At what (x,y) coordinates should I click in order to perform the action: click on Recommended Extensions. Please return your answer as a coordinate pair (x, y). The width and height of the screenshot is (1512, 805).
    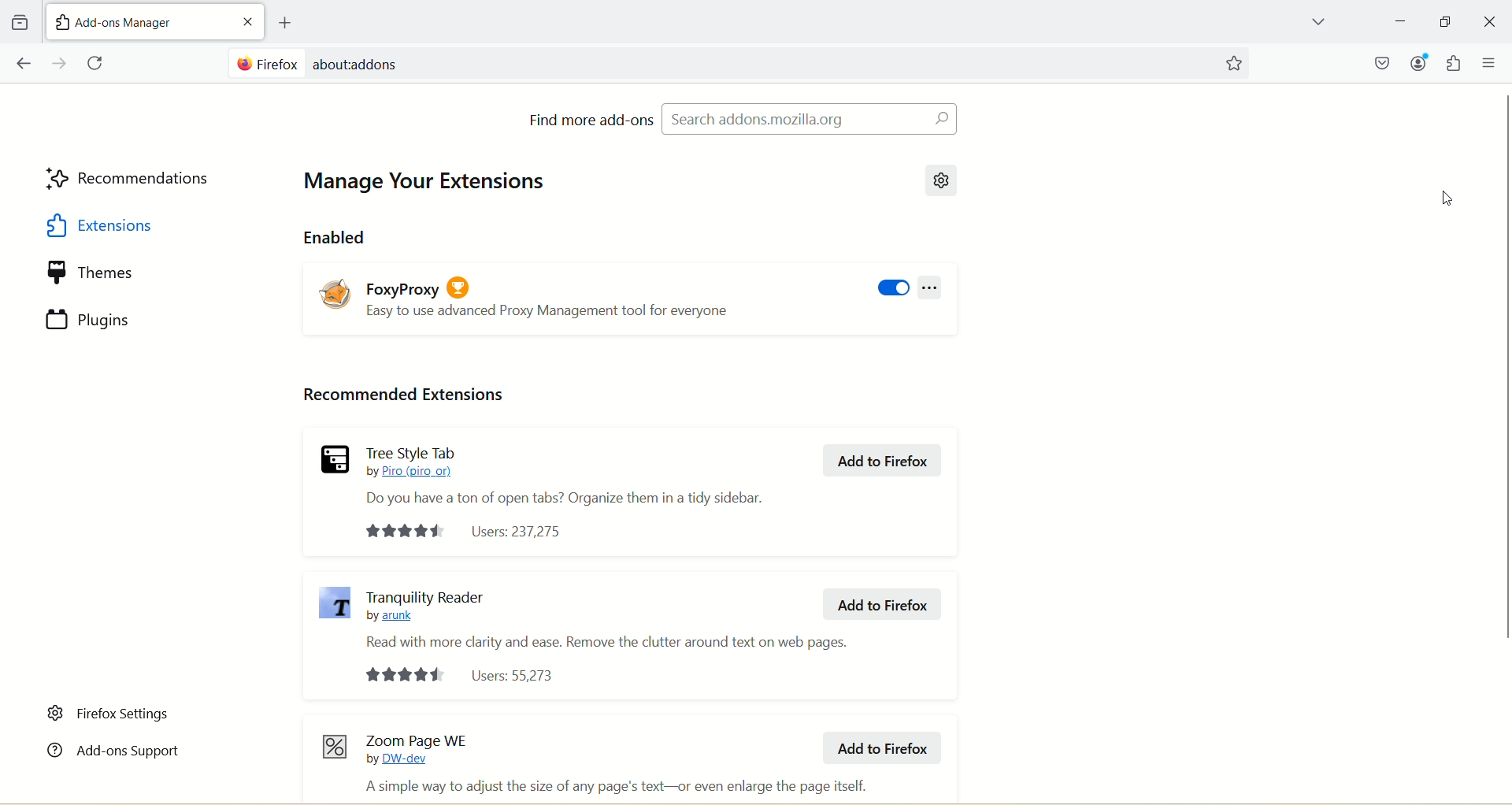
    Looking at the image, I should click on (402, 395).